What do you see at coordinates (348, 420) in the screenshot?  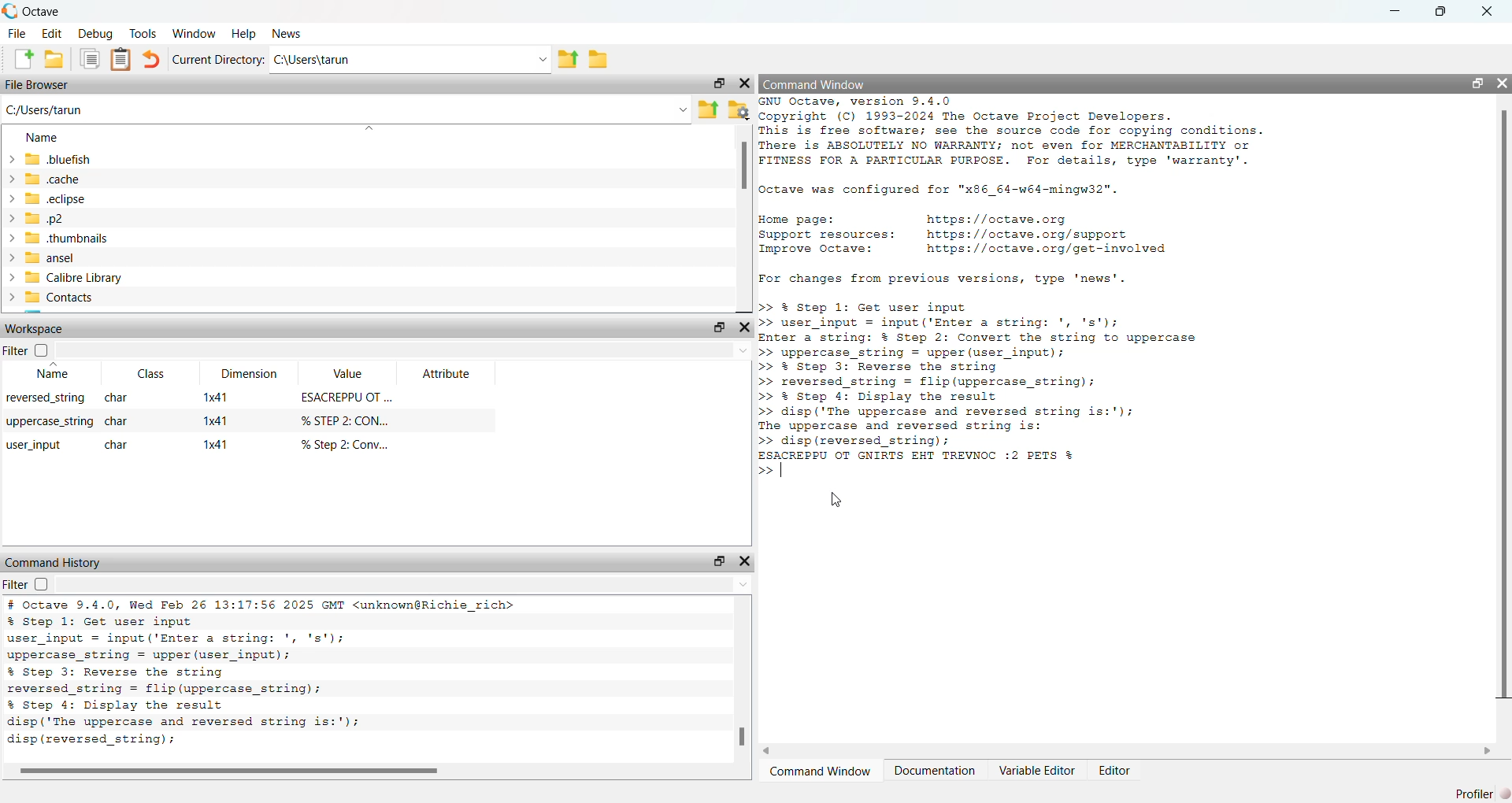 I see `% STEP 2:CON..` at bounding box center [348, 420].